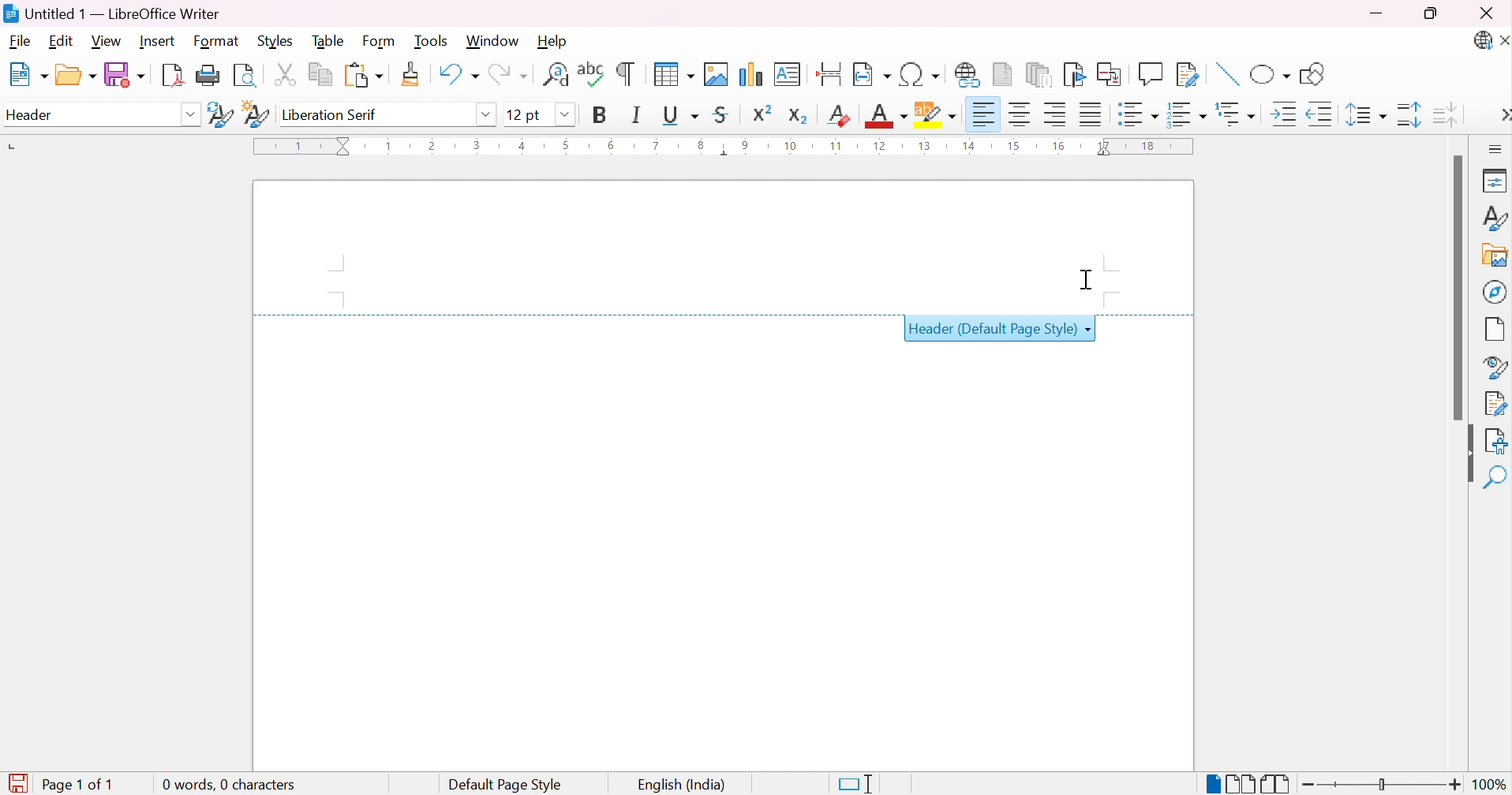  Describe the element at coordinates (722, 114) in the screenshot. I see `Strikethrough` at that location.